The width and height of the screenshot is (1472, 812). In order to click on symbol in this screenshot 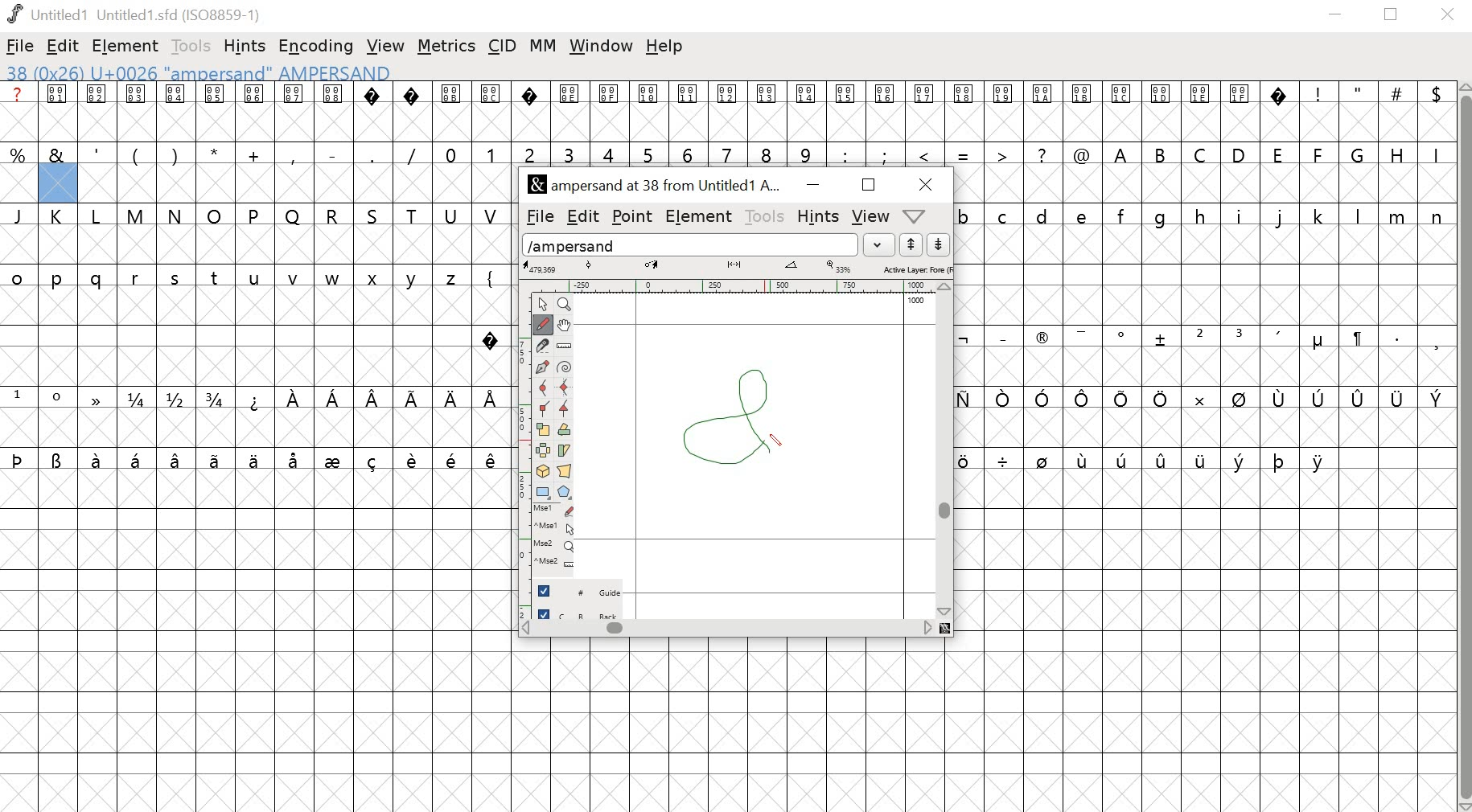, I will do `click(58, 459)`.